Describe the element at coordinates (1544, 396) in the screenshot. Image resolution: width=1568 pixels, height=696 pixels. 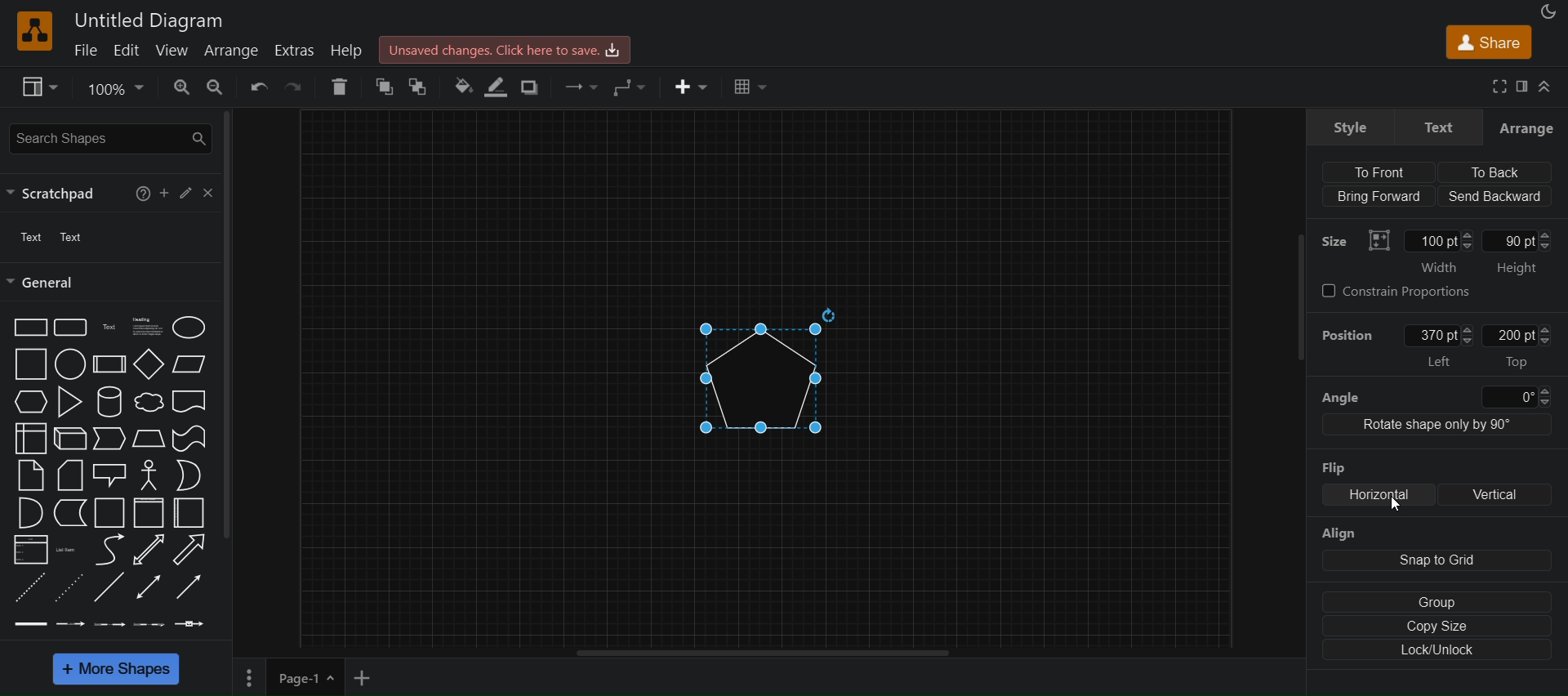
I see `Increase/Decrease angle` at that location.